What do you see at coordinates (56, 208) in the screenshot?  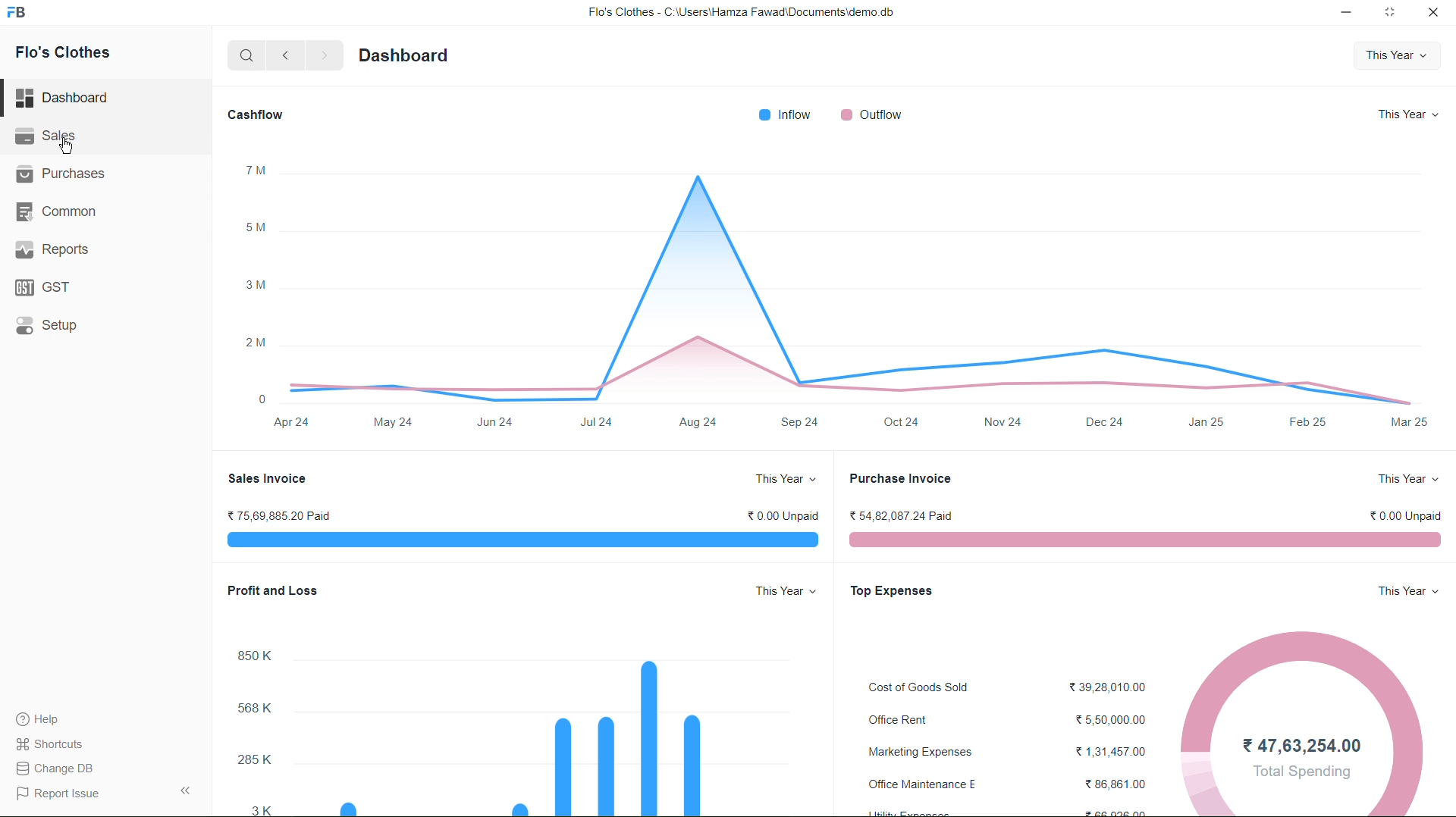 I see `Common` at bounding box center [56, 208].